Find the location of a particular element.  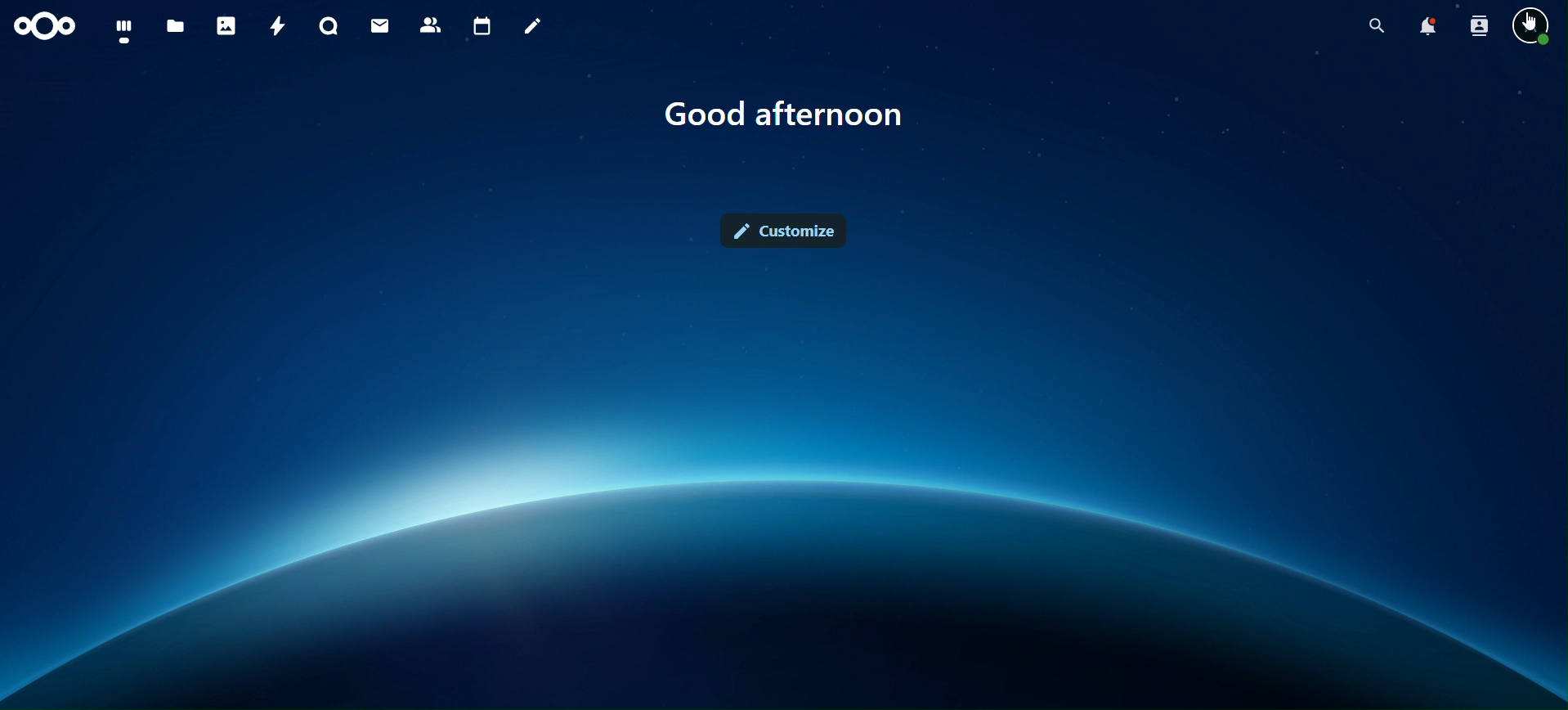

icon is located at coordinates (48, 26).